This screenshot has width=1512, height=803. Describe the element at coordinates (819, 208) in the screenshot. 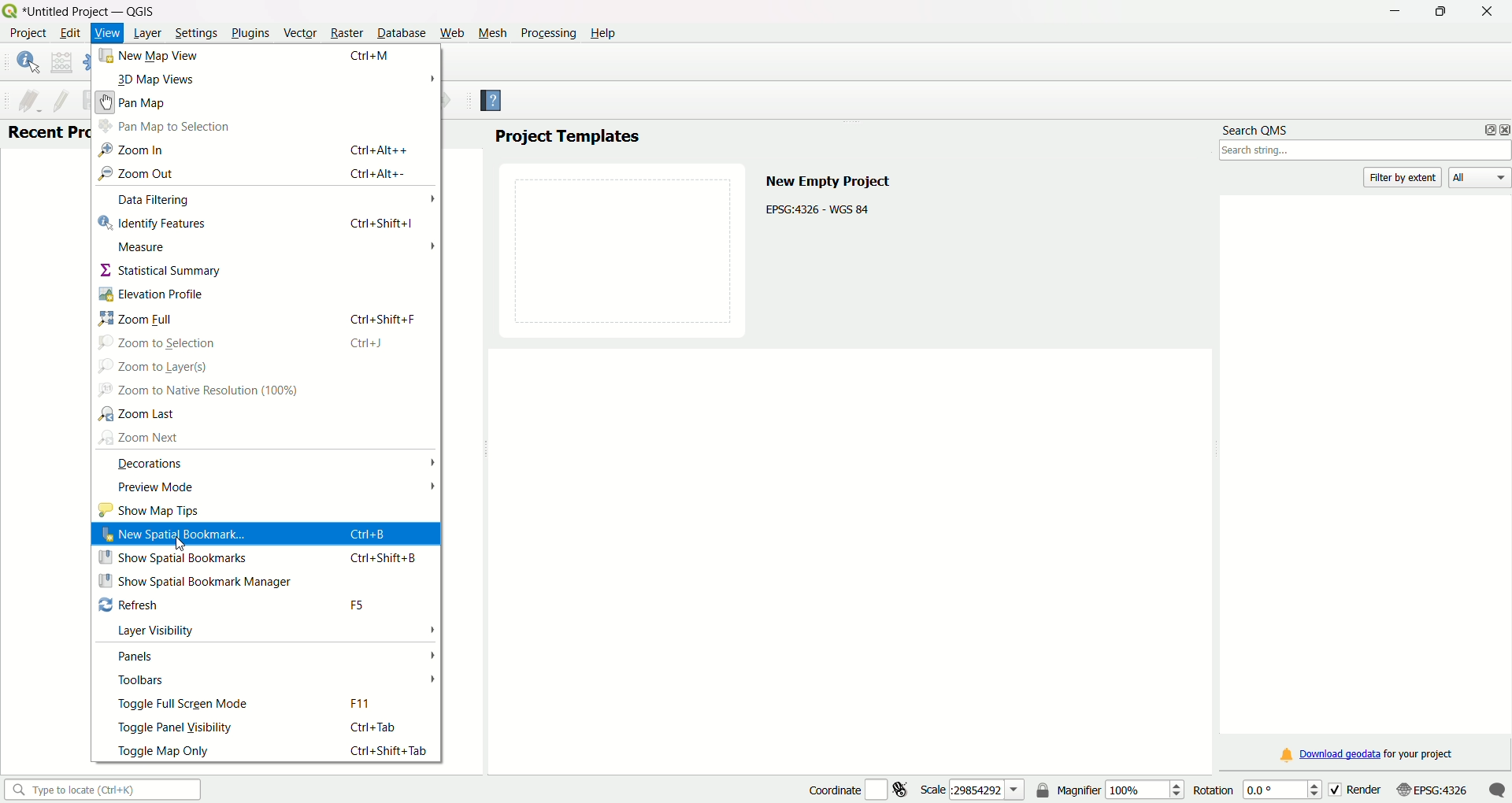

I see `EPSG:4326-WGS 84` at that location.